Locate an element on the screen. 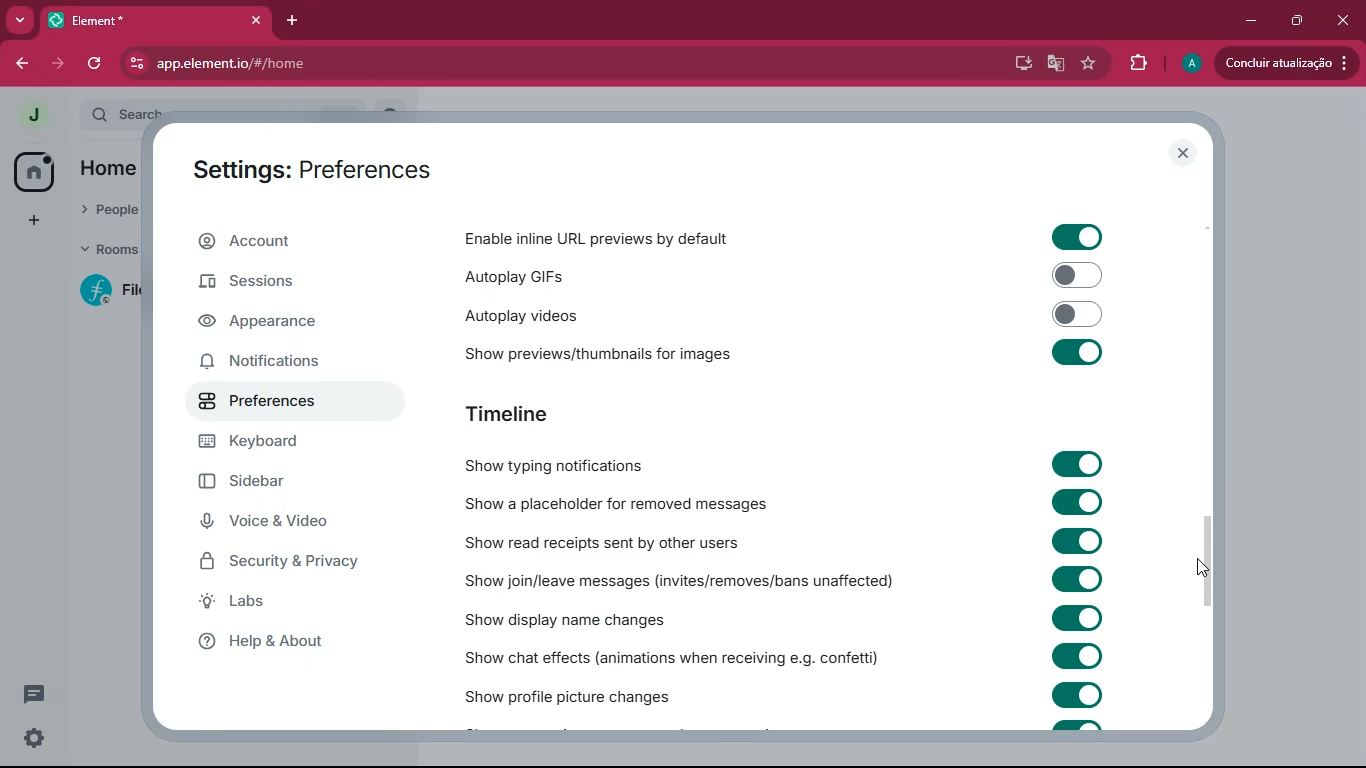 This screenshot has width=1366, height=768. close tab is located at coordinates (258, 21).